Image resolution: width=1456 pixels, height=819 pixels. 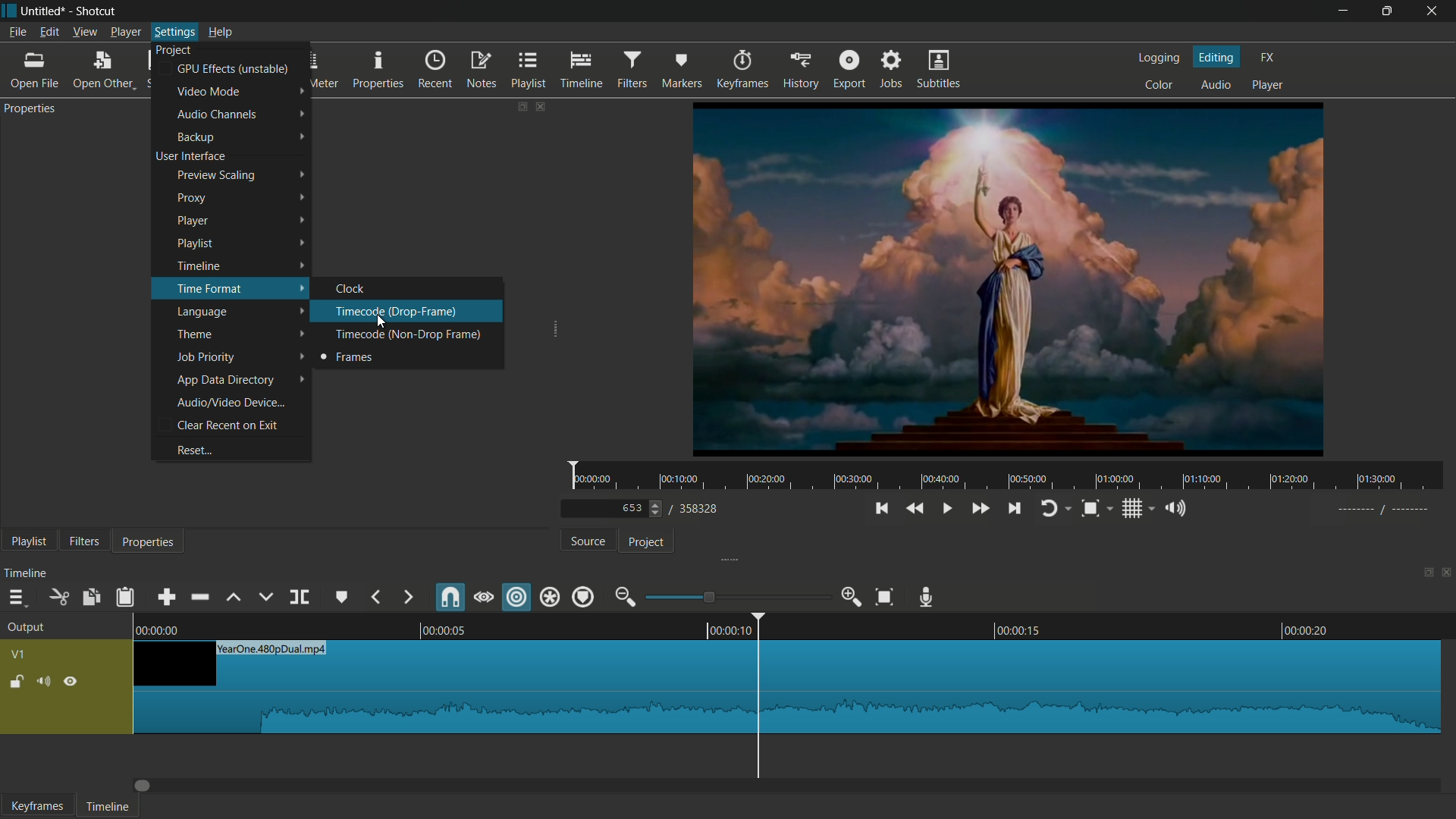 I want to click on close timeline, so click(x=1447, y=573).